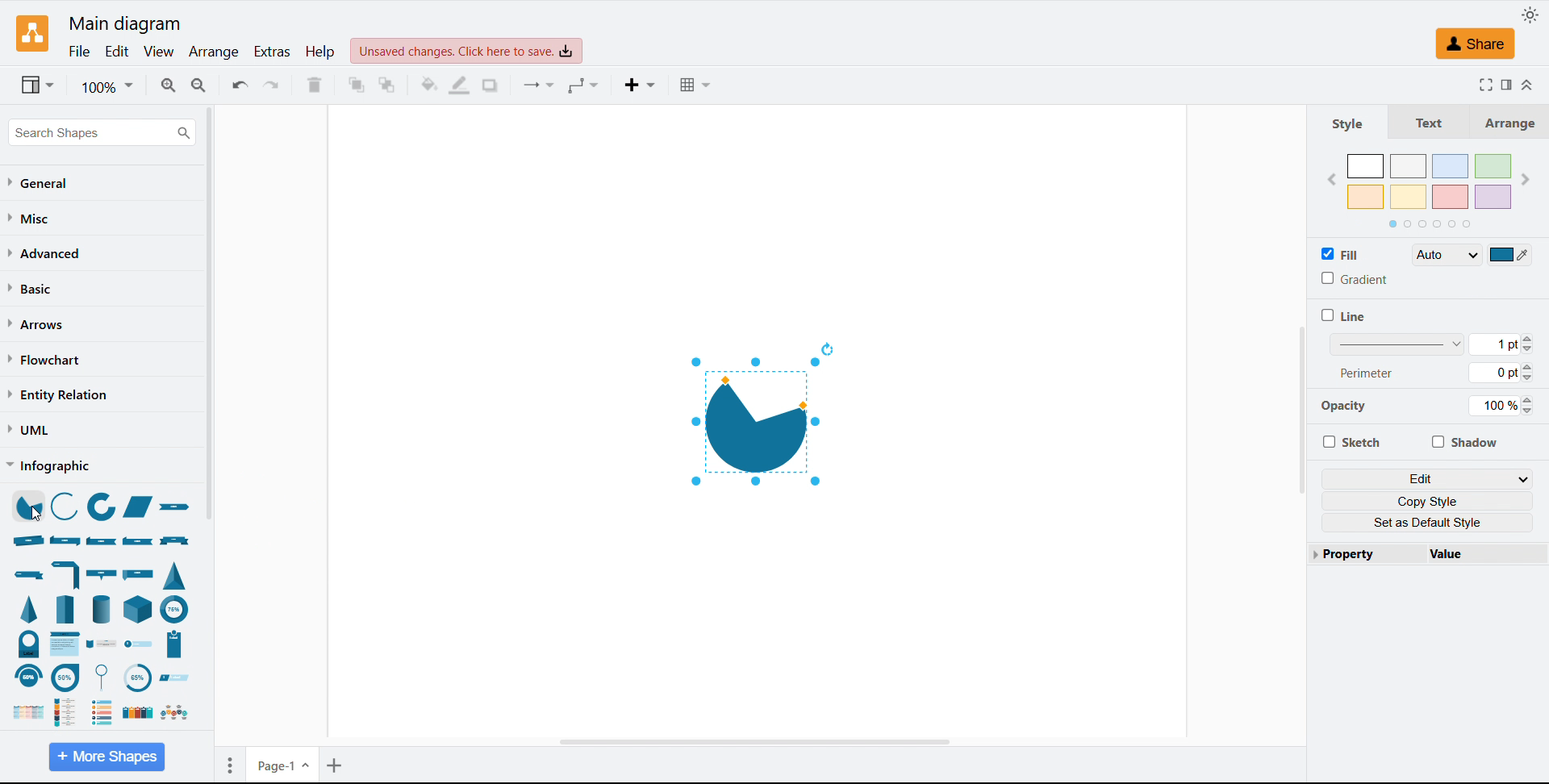  What do you see at coordinates (1433, 122) in the screenshot?
I see `text ` at bounding box center [1433, 122].